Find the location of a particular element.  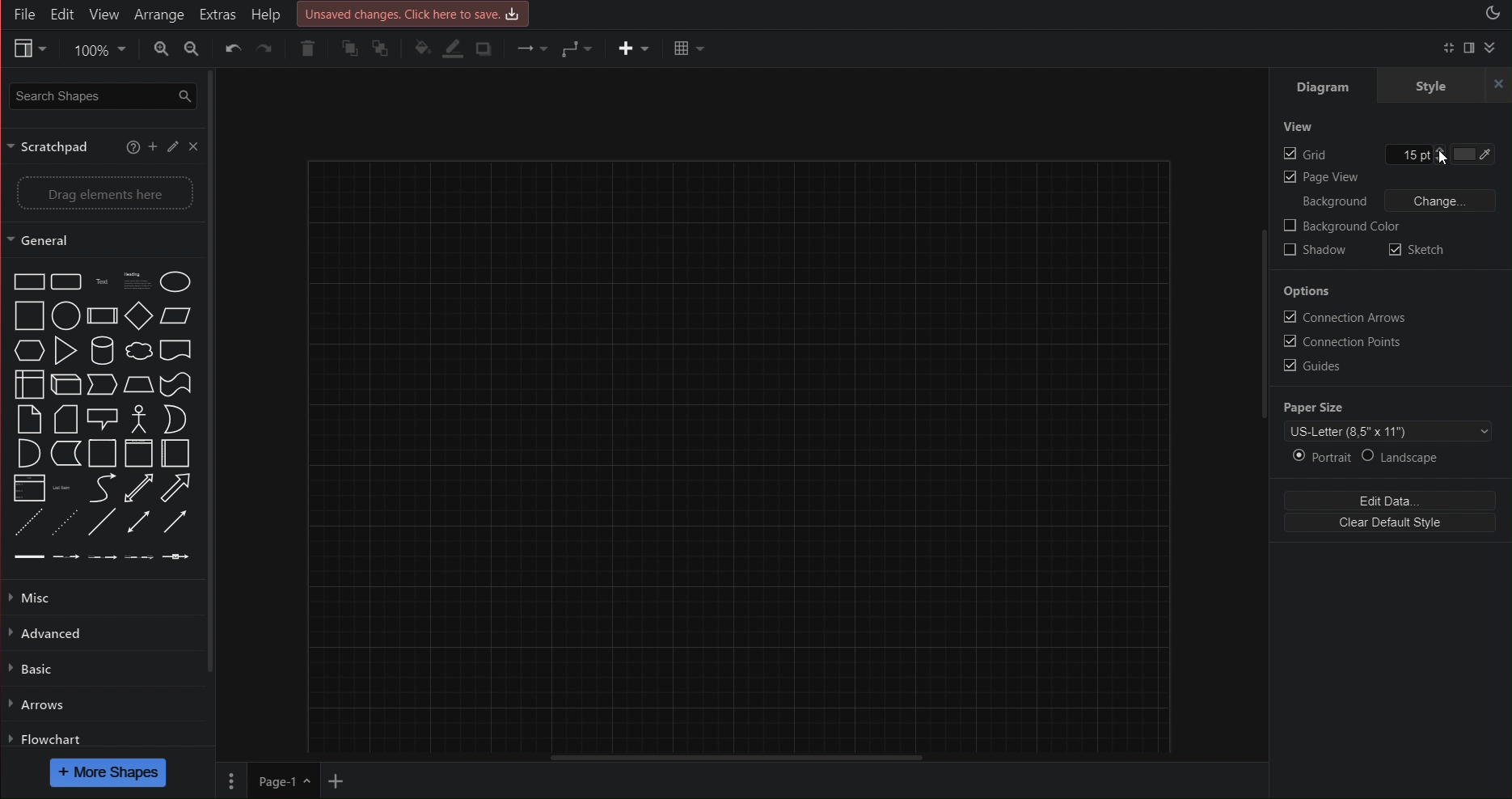

Close is located at coordinates (193, 149).